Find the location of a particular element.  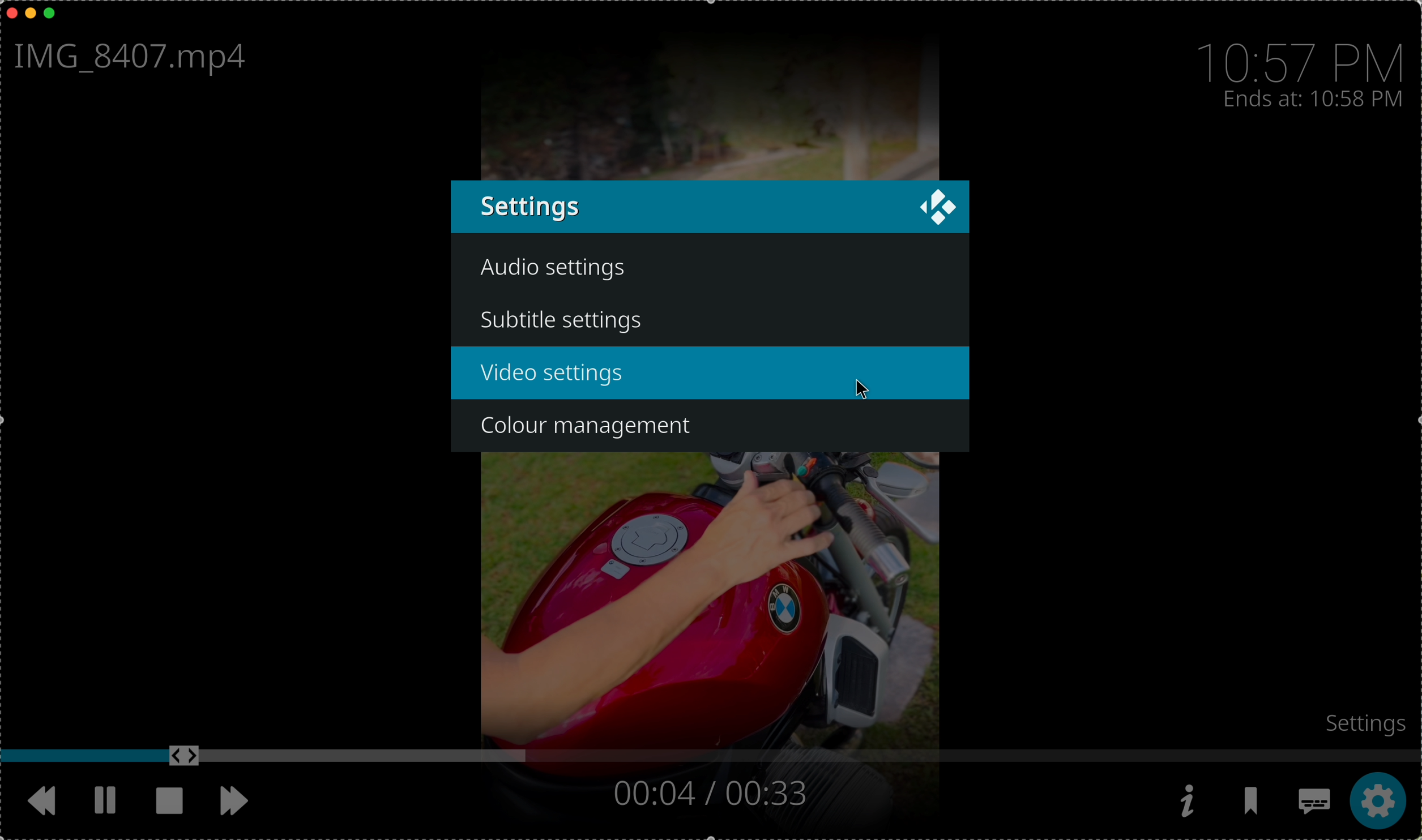

10:57 PM is located at coordinates (1305, 54).